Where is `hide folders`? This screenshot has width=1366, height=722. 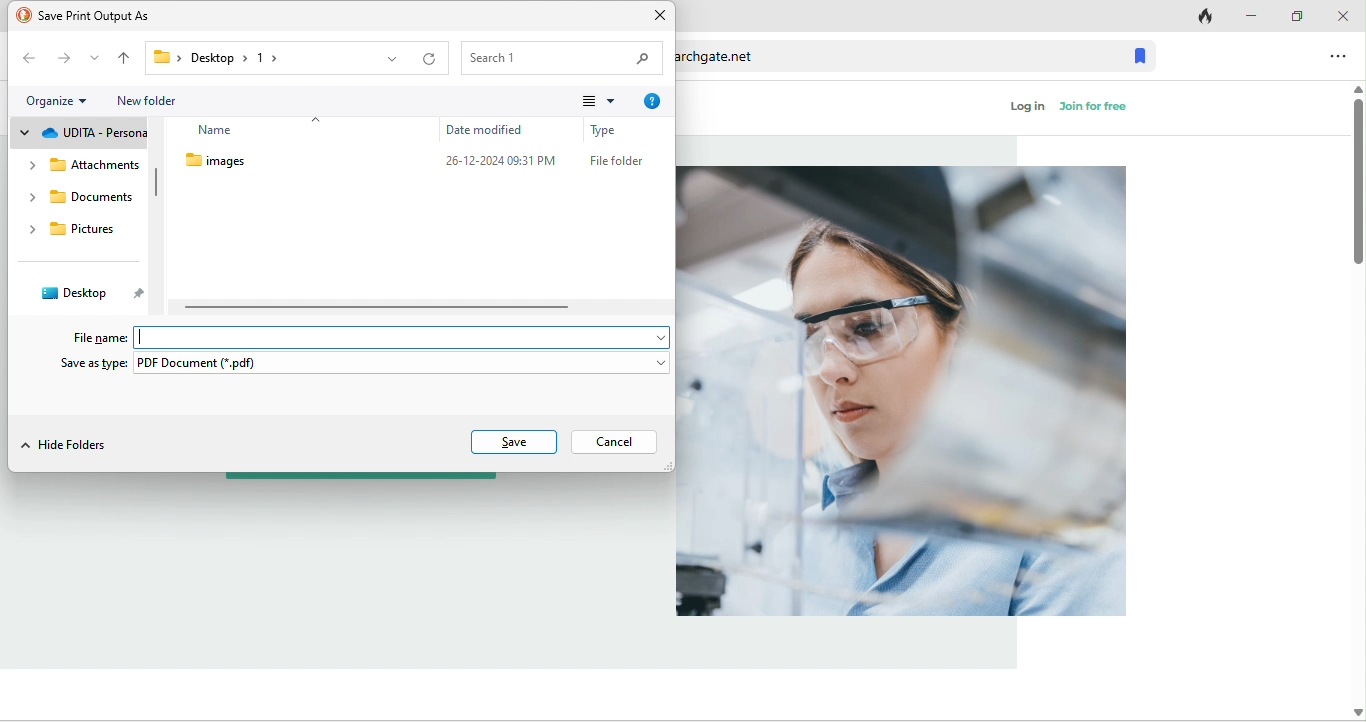
hide folders is located at coordinates (70, 445).